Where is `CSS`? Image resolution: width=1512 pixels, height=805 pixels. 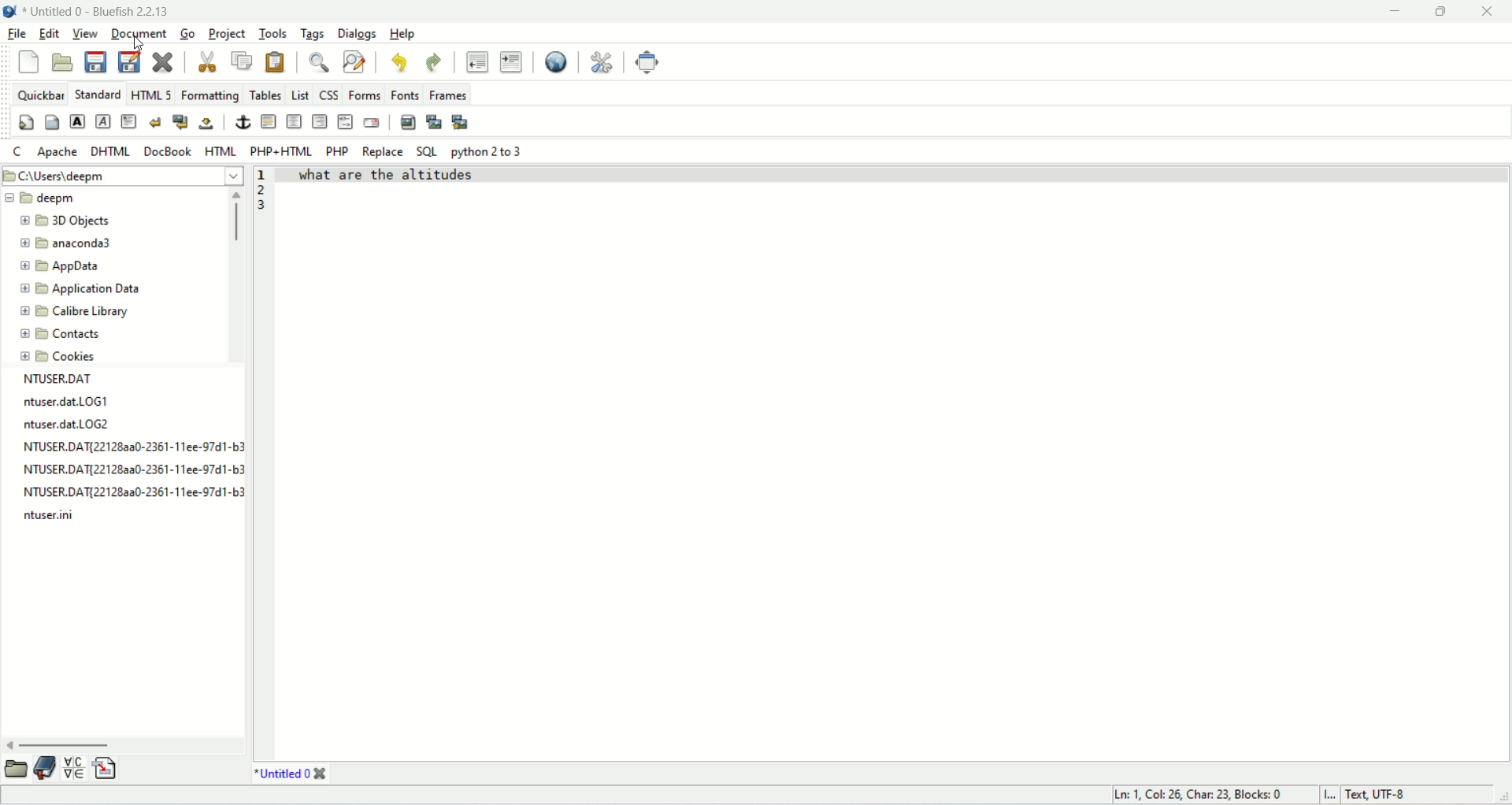
CSS is located at coordinates (328, 93).